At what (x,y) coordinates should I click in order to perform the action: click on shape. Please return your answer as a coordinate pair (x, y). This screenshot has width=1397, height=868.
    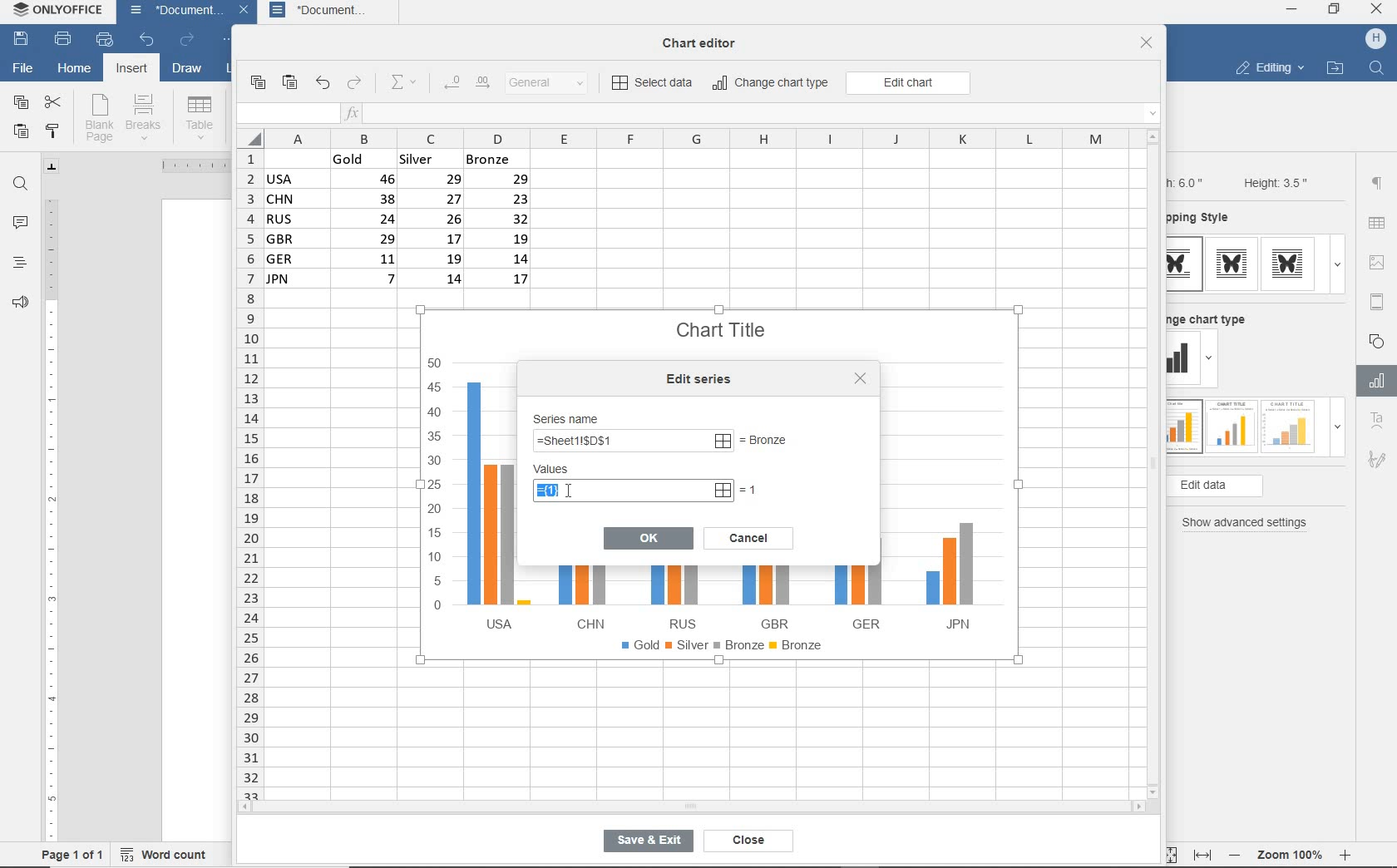
    Looking at the image, I should click on (1379, 340).